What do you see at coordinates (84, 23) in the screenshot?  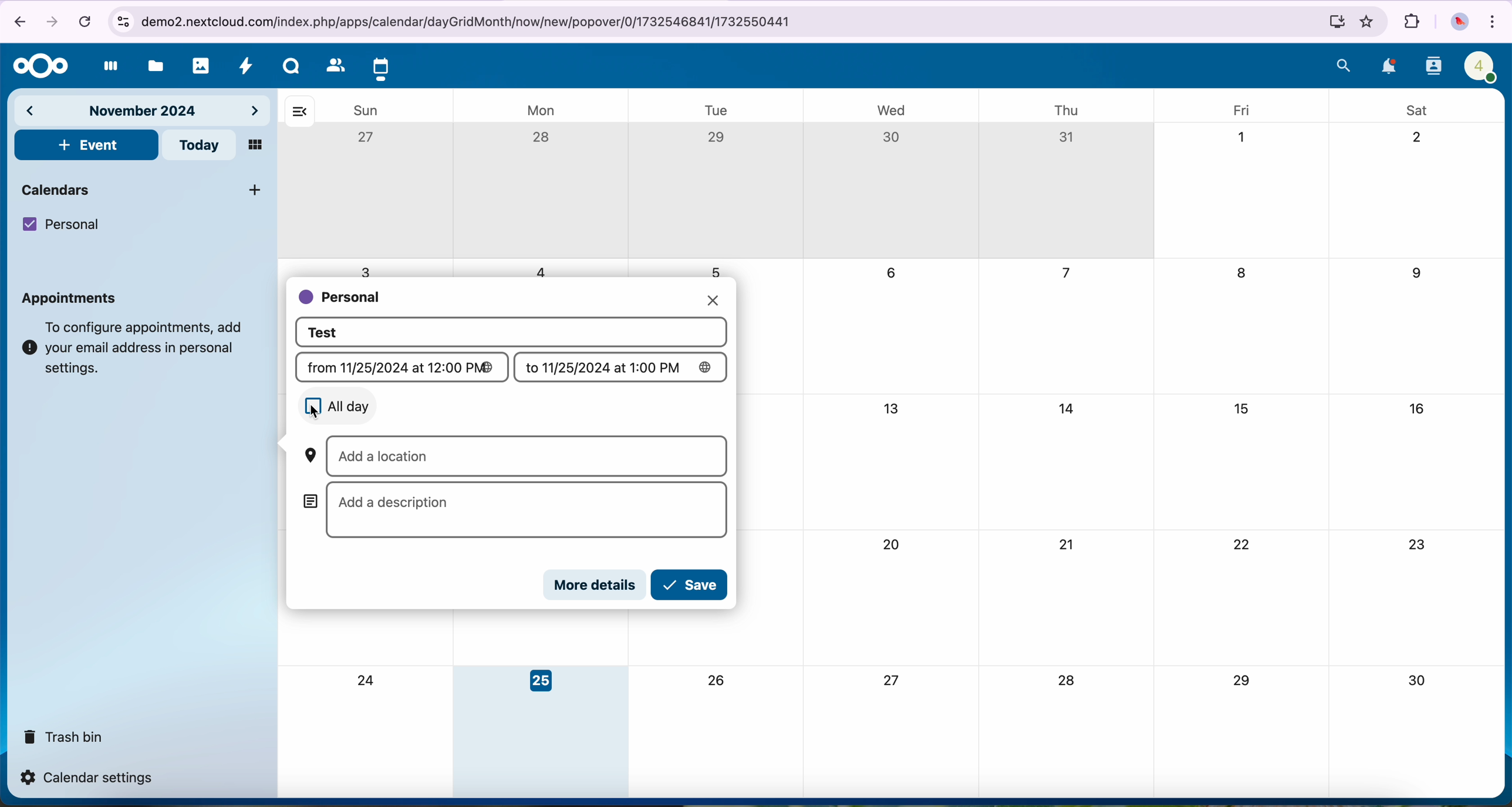 I see `cancel` at bounding box center [84, 23].